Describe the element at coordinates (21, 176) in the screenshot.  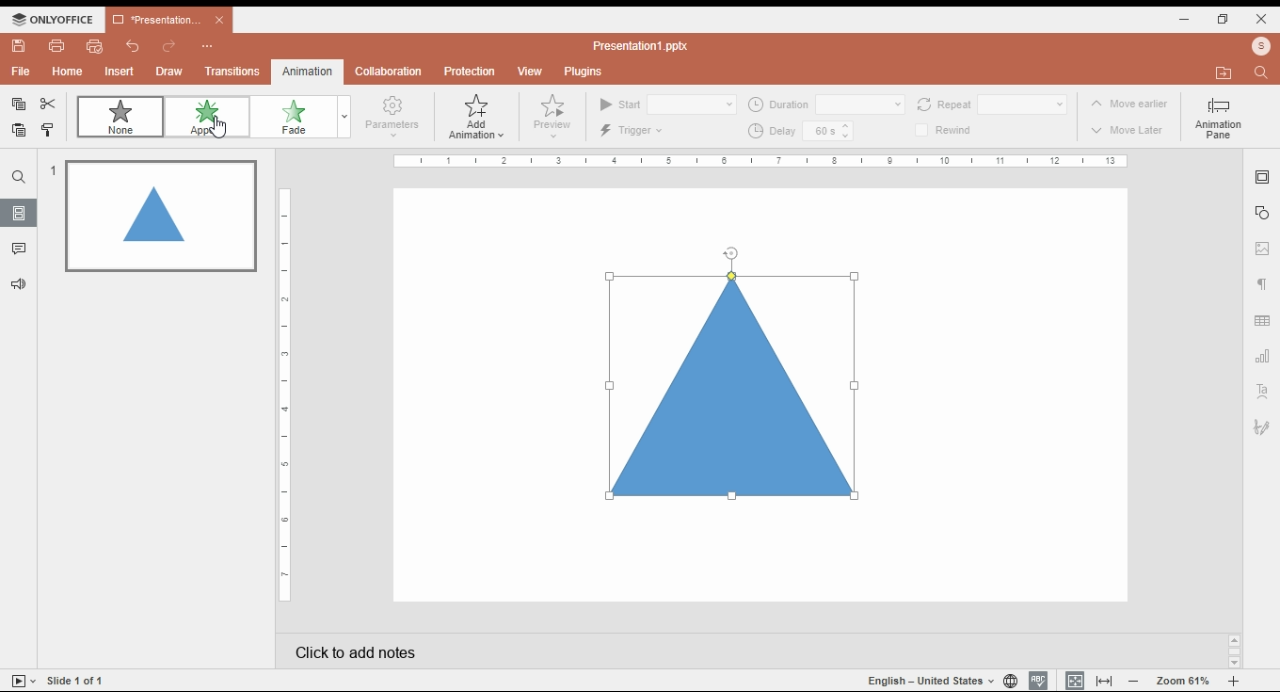
I see `search` at that location.